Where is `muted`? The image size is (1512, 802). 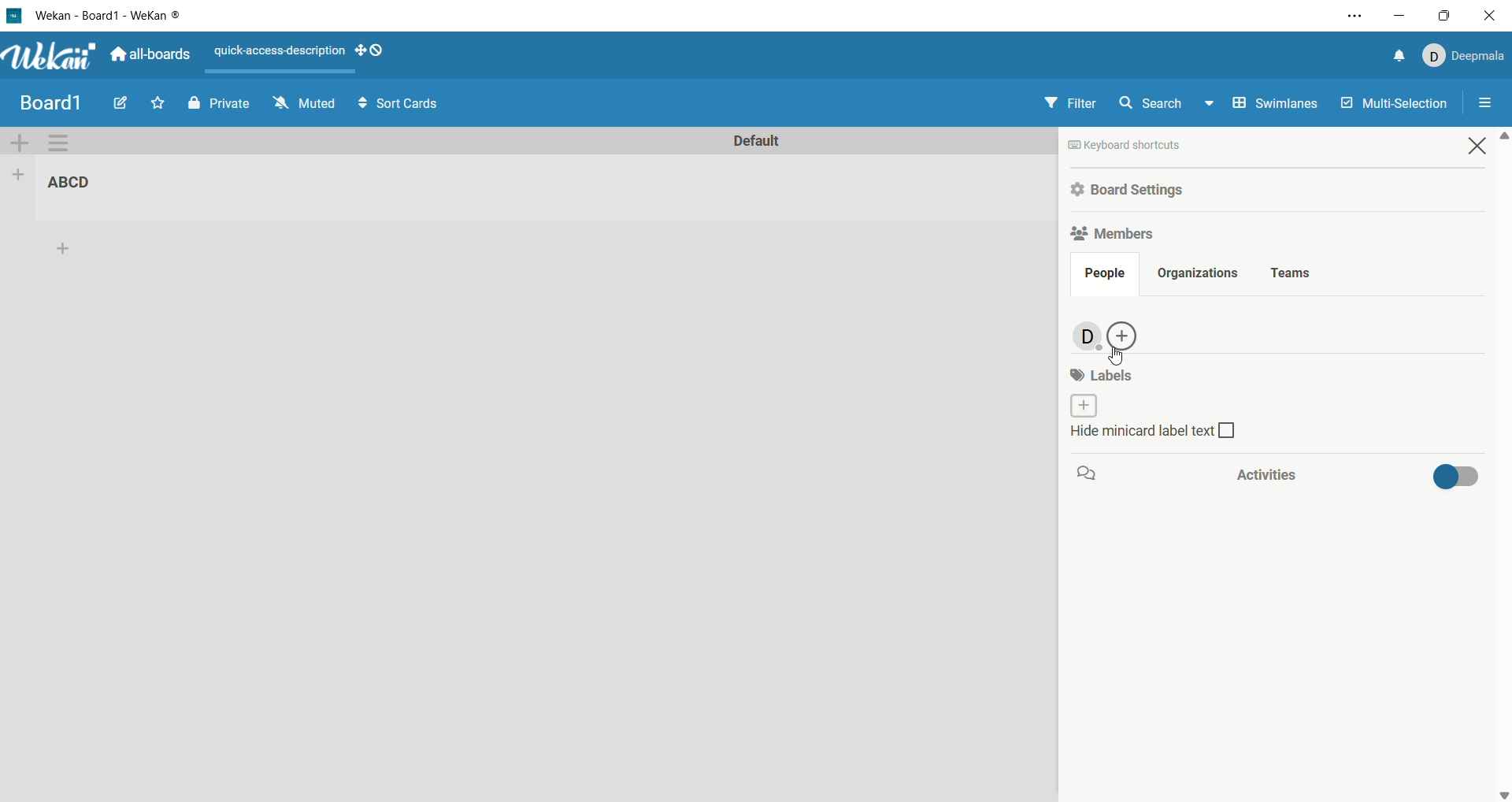 muted is located at coordinates (305, 103).